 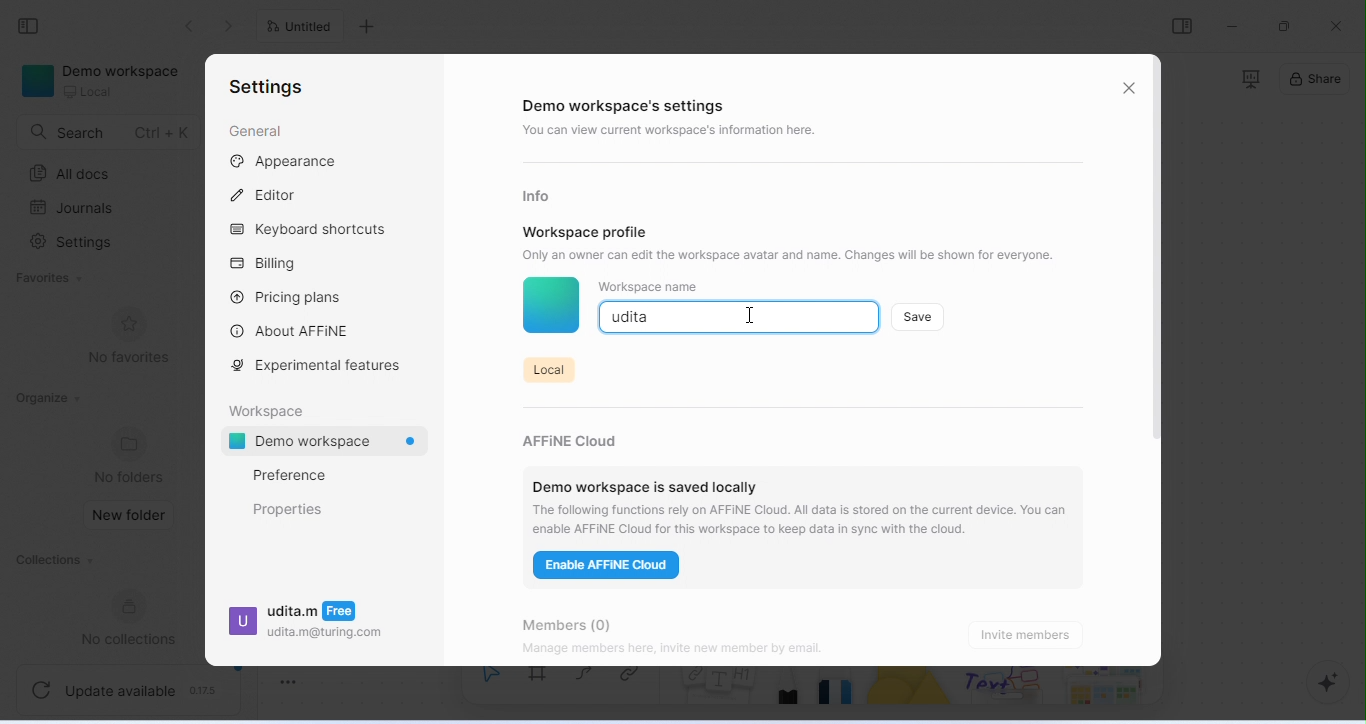 What do you see at coordinates (255, 132) in the screenshot?
I see `general` at bounding box center [255, 132].